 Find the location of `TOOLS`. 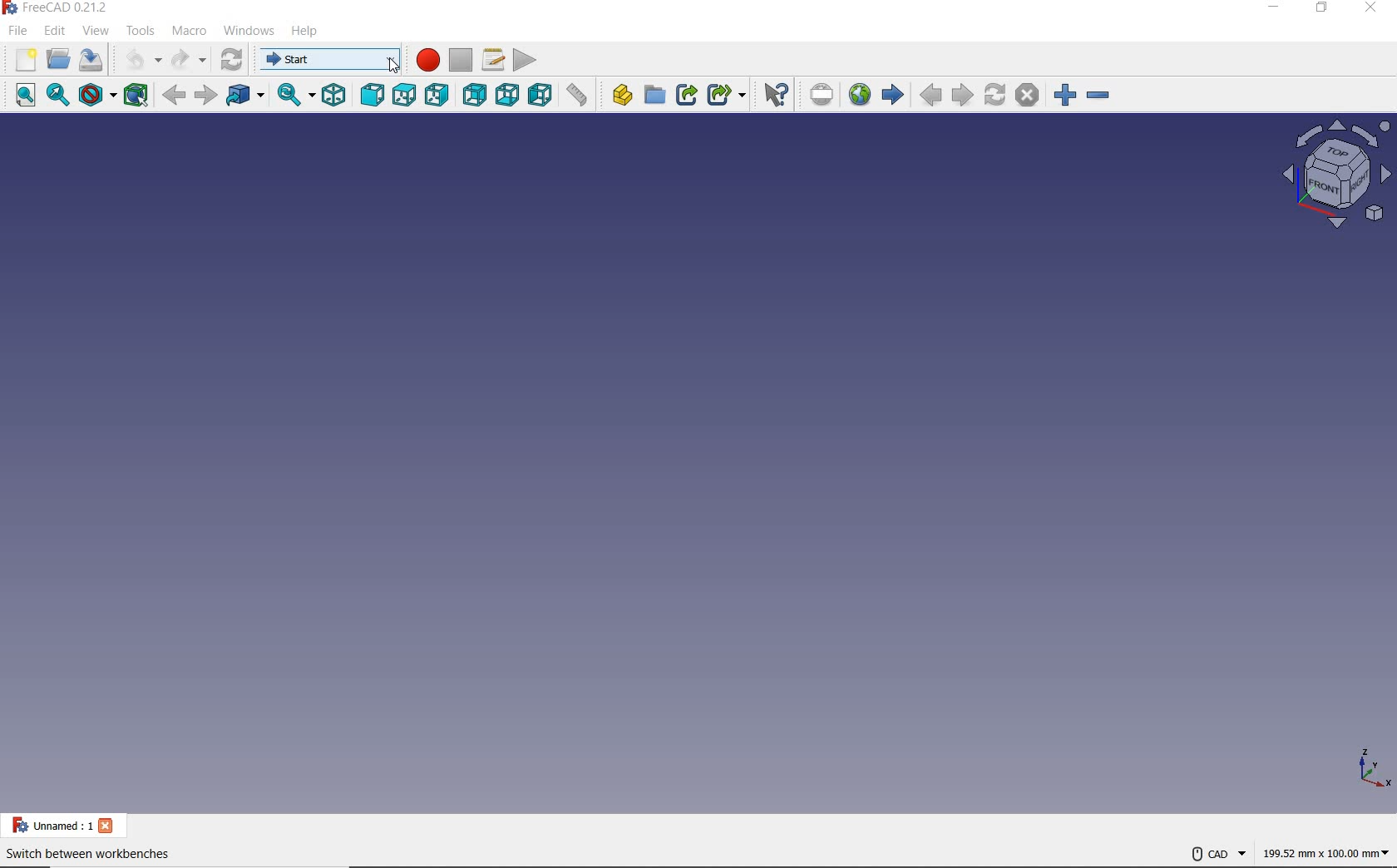

TOOLS is located at coordinates (141, 32).